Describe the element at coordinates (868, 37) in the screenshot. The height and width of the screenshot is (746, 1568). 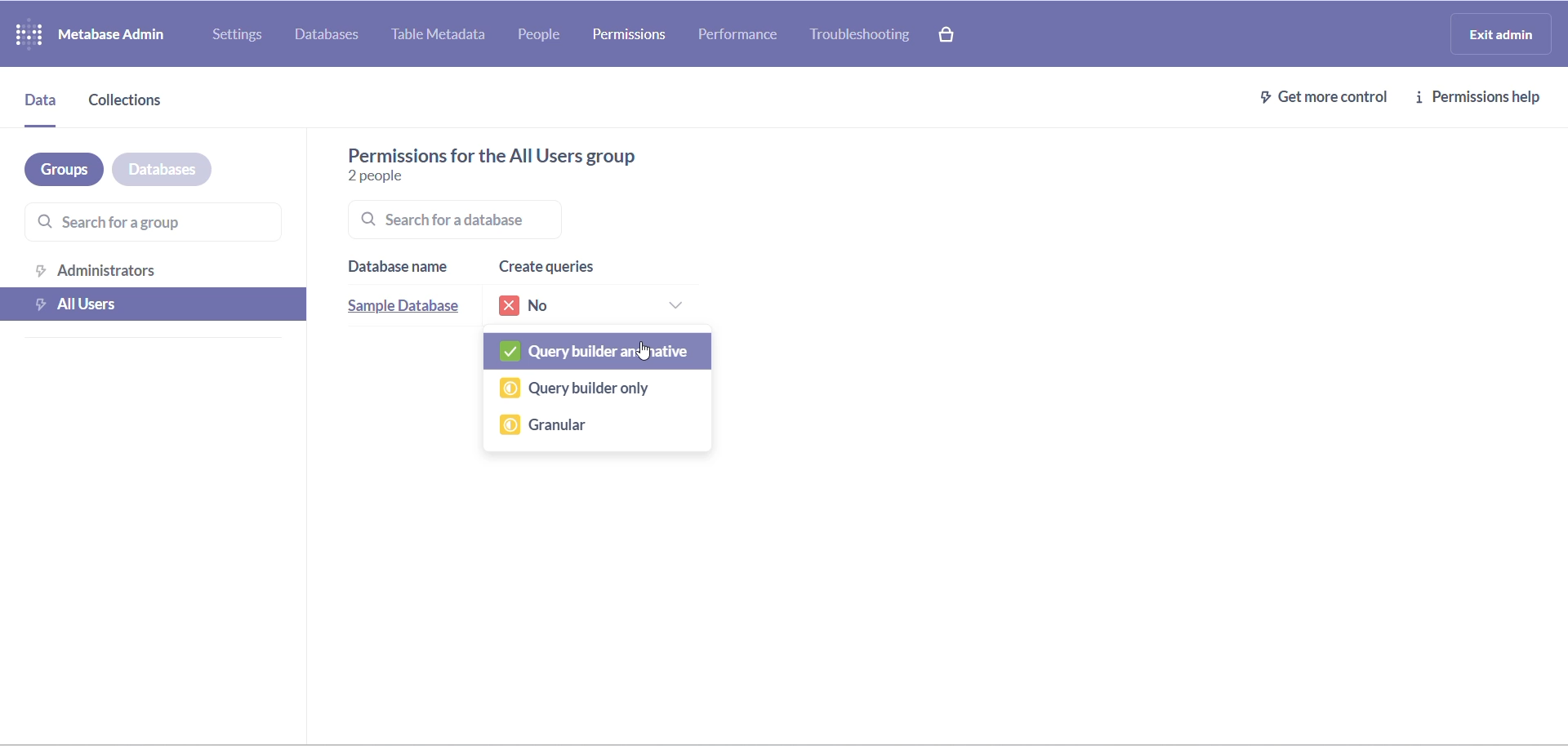
I see `troubleshooting` at that location.